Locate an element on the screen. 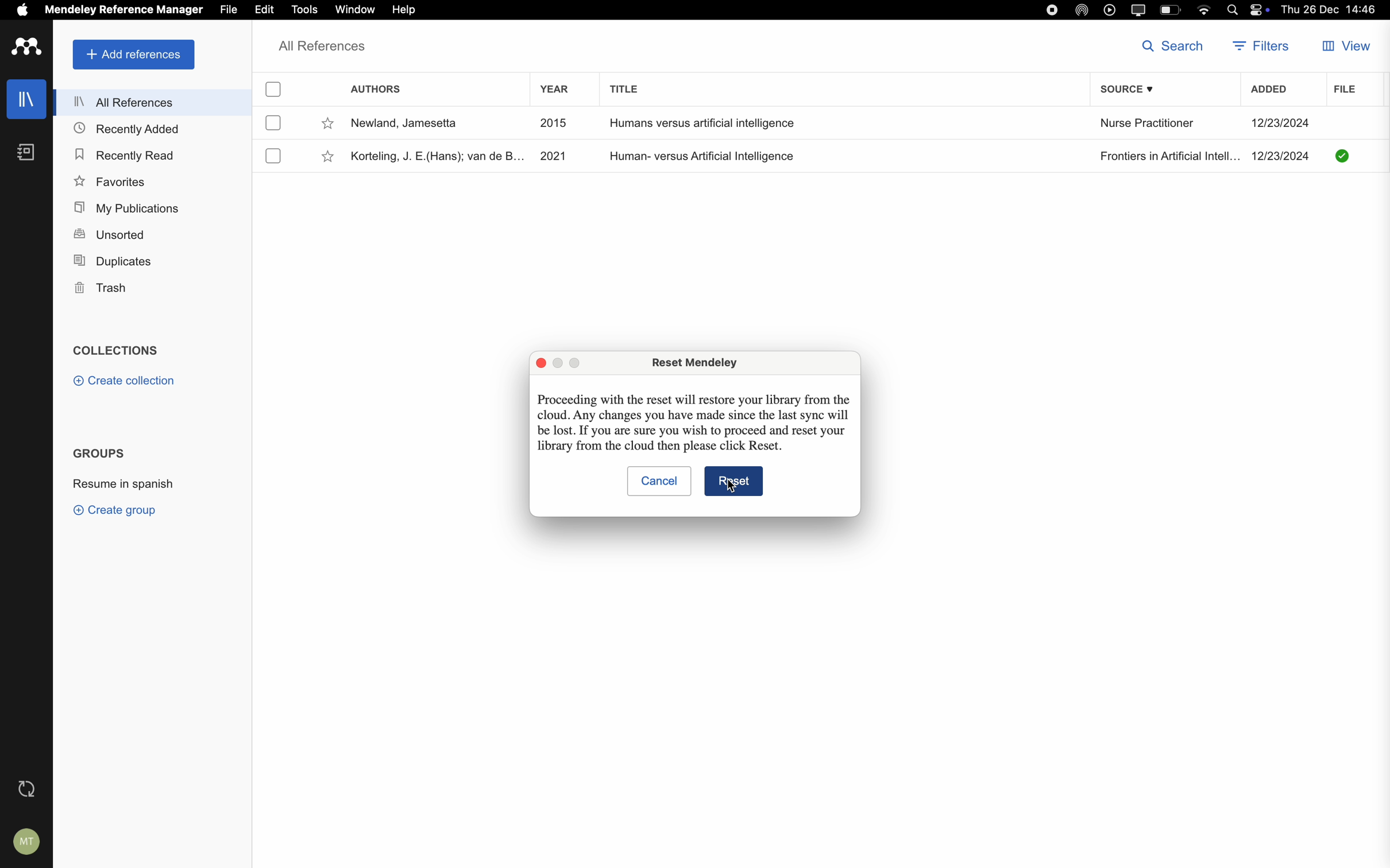 Image resolution: width=1390 pixels, height=868 pixels. duplicates is located at coordinates (114, 260).